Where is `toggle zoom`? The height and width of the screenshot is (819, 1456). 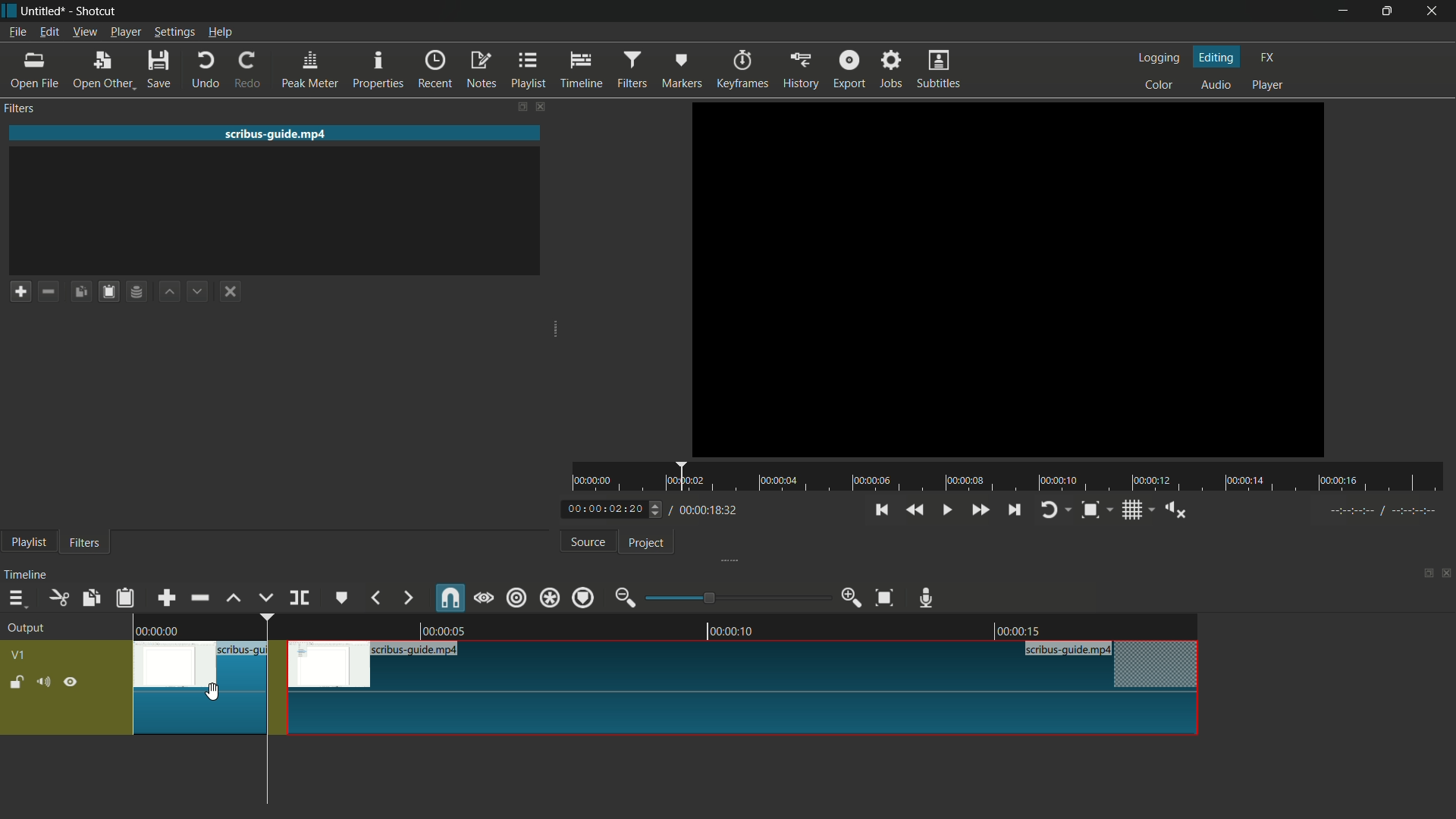 toggle zoom is located at coordinates (1090, 510).